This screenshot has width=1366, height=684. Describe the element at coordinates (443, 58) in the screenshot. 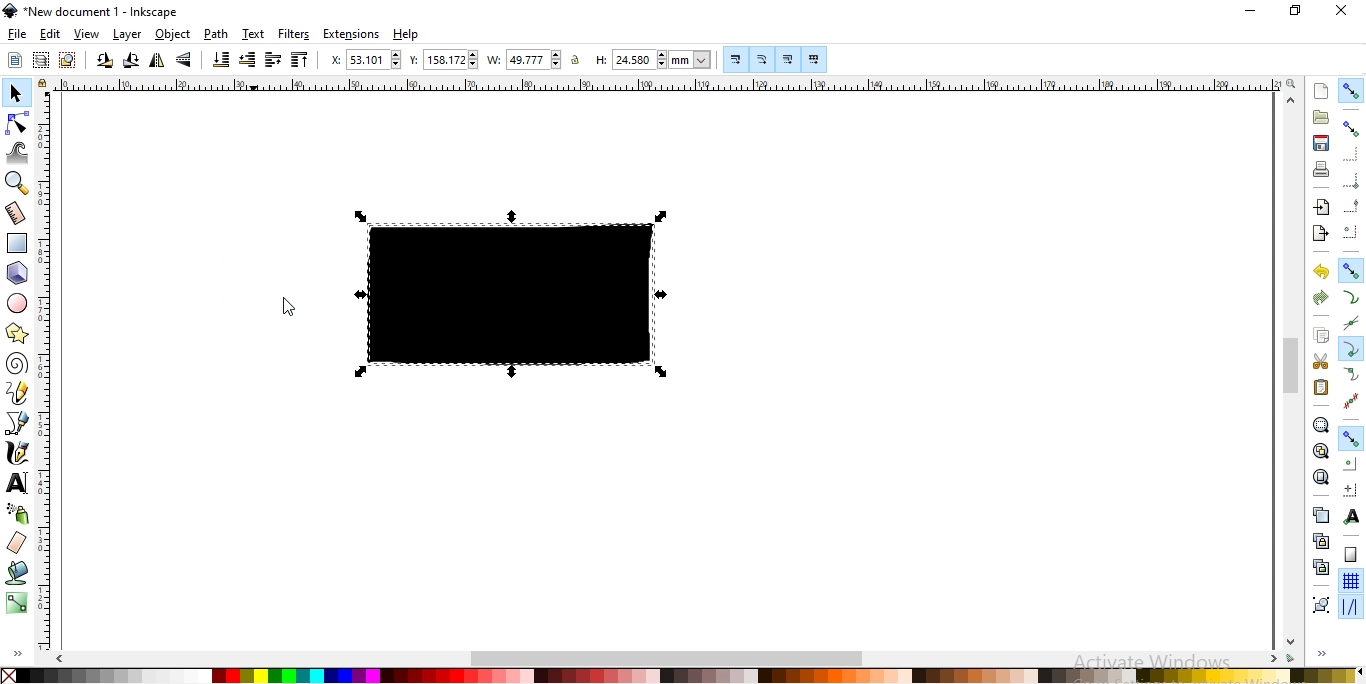

I see `vertical coordinate of selection` at that location.